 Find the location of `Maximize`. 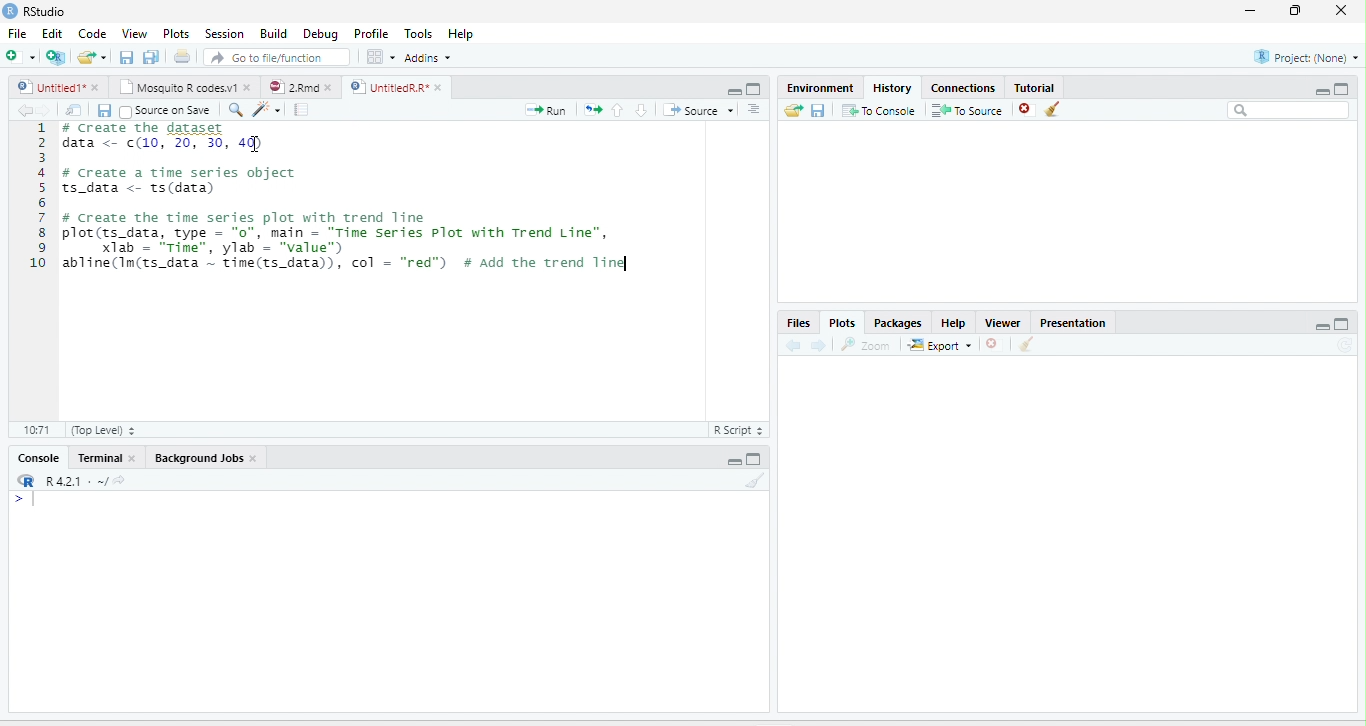

Maximize is located at coordinates (755, 89).